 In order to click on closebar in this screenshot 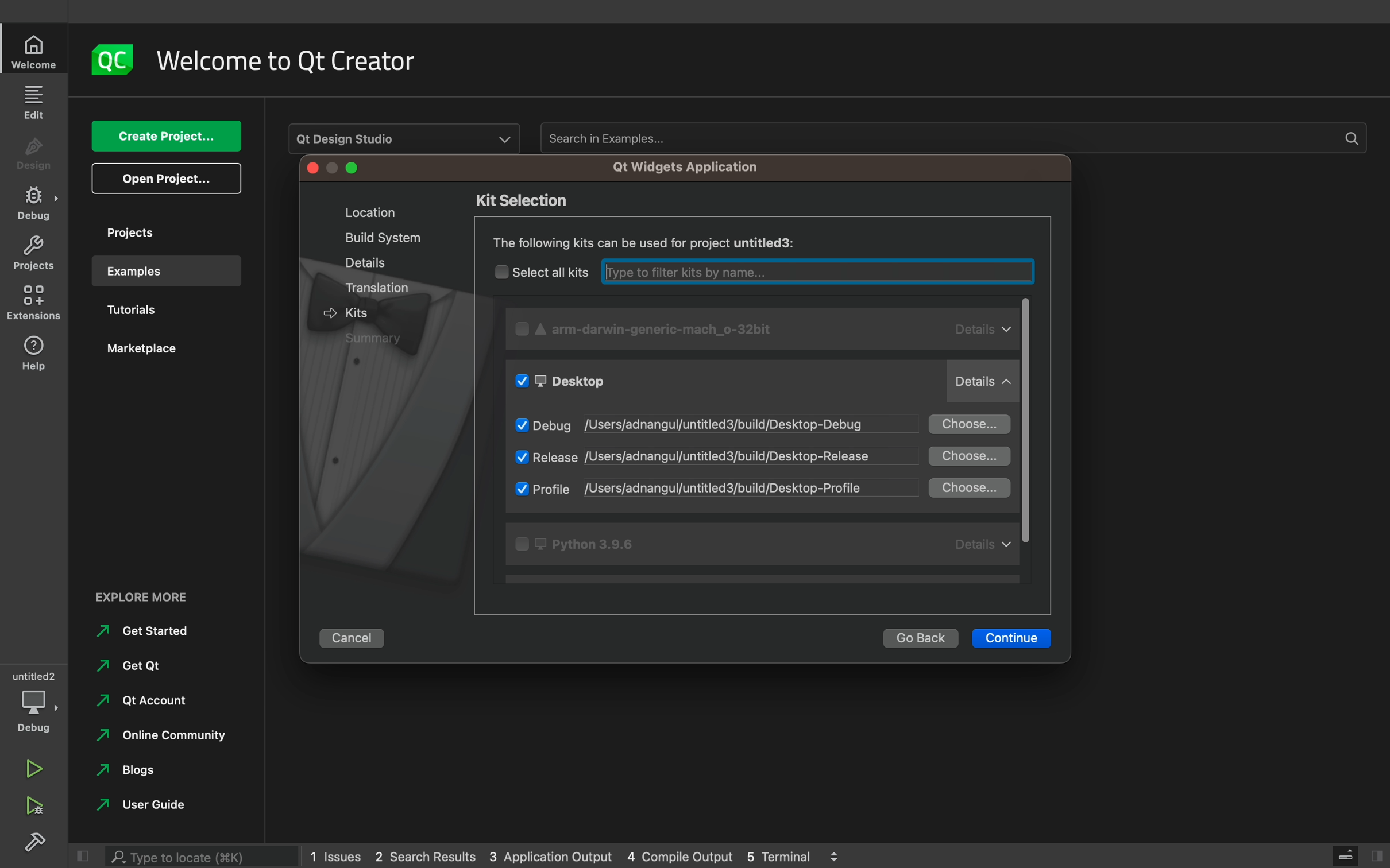, I will do `click(1342, 855)`.